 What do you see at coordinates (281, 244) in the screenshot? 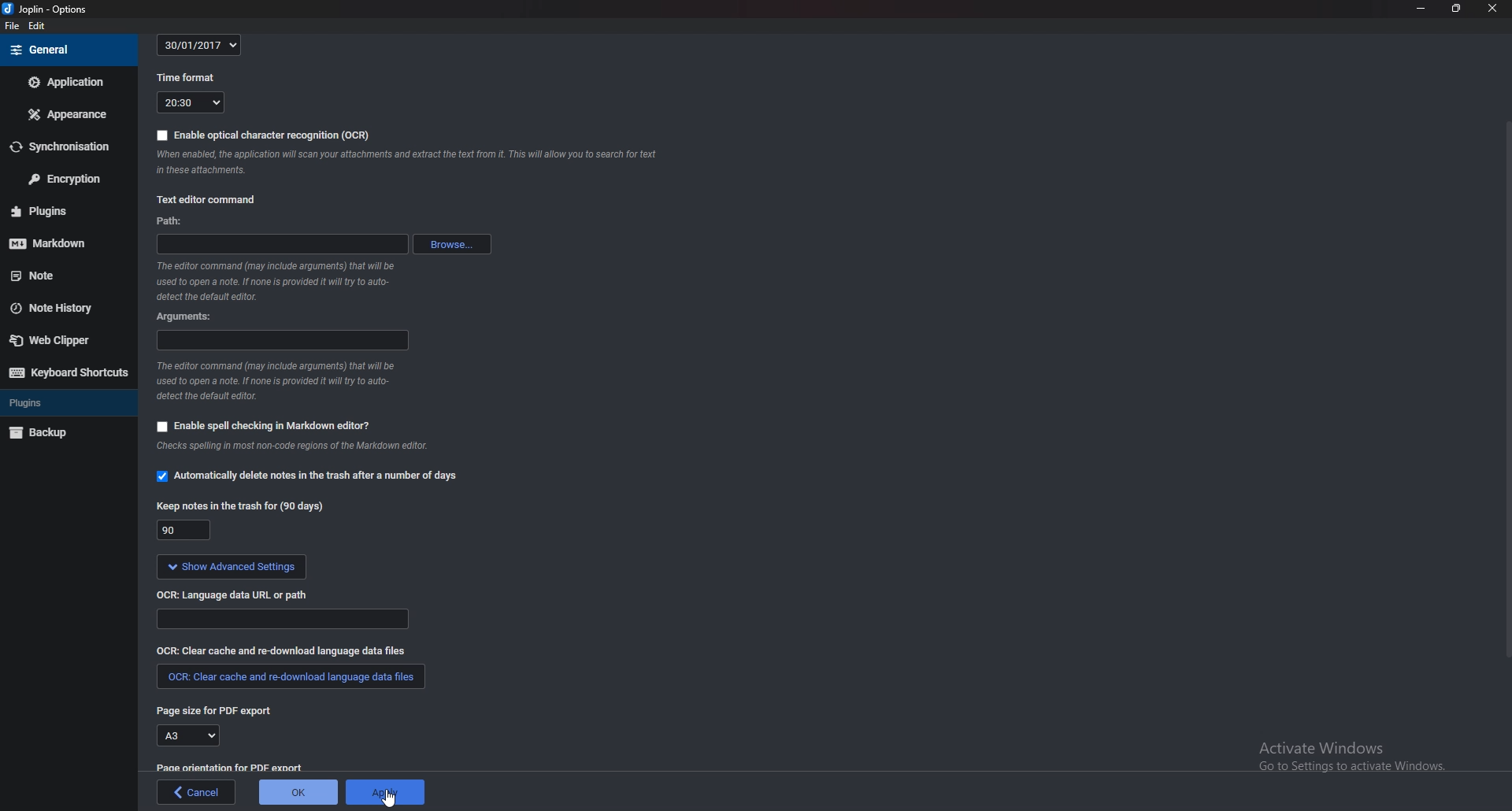
I see `path` at bounding box center [281, 244].